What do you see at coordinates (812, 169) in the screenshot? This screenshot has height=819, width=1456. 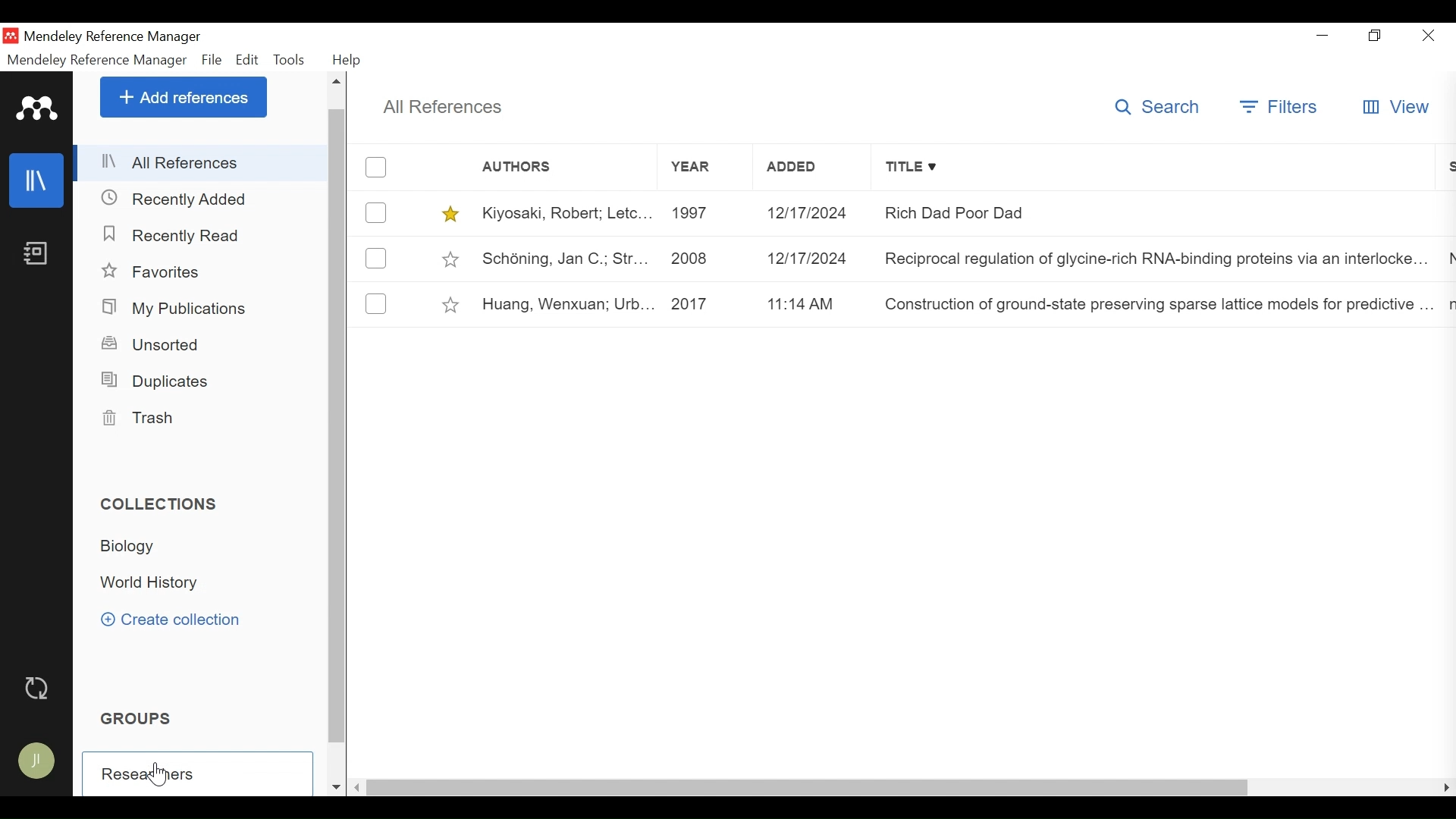 I see `Added` at bounding box center [812, 169].